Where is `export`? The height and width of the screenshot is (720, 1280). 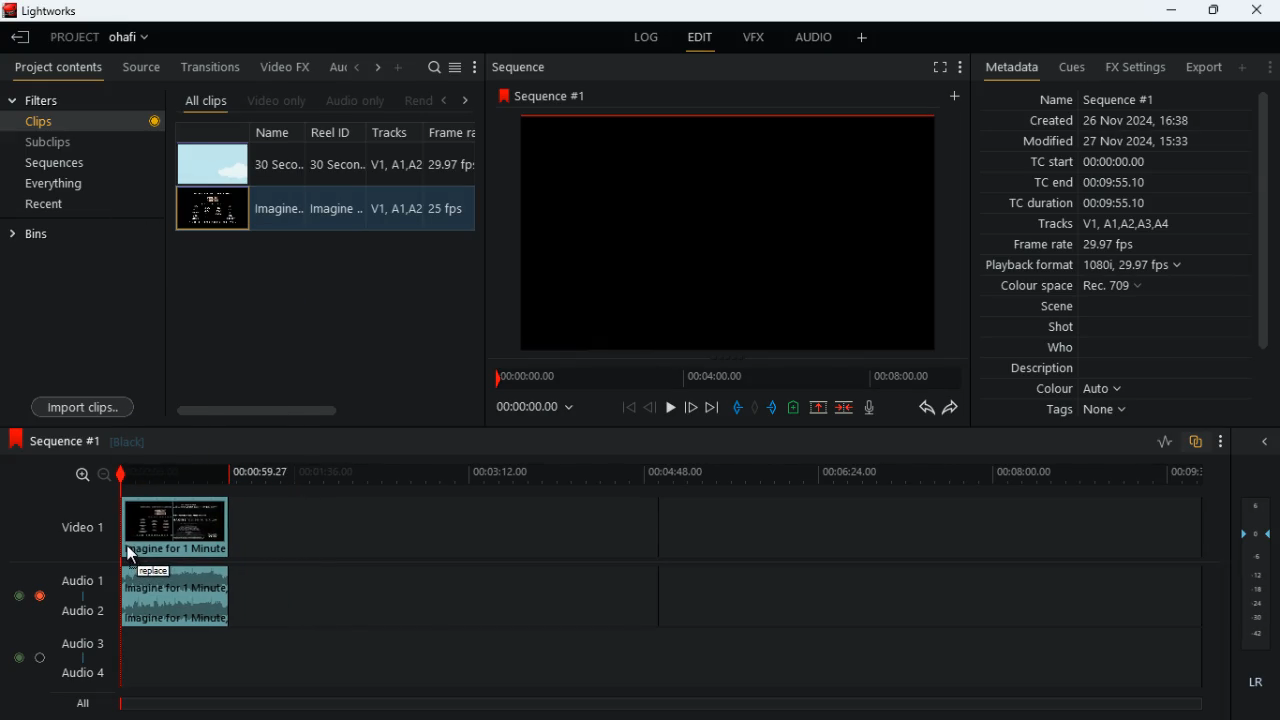 export is located at coordinates (1200, 67).